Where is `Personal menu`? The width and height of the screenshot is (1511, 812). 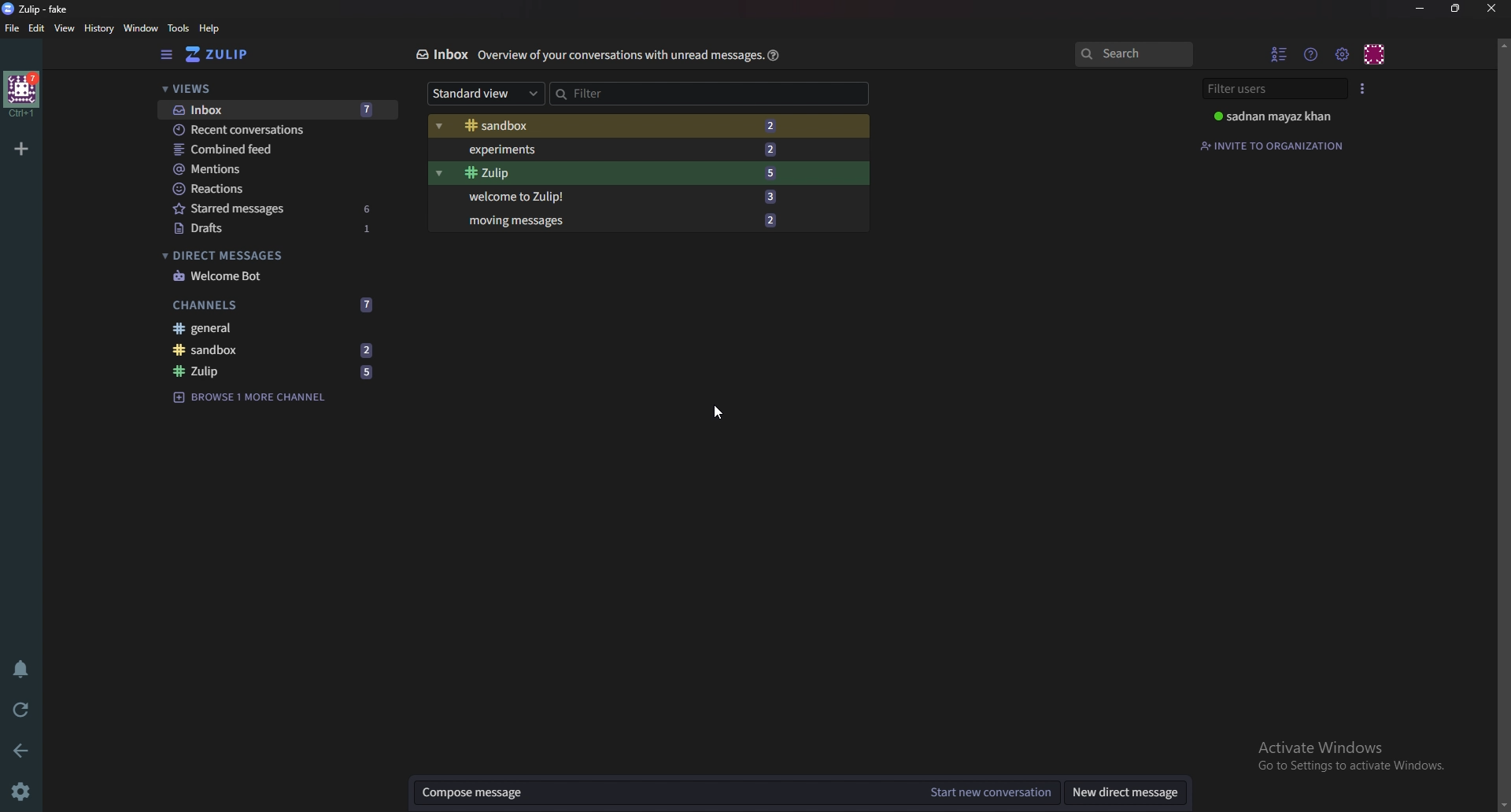
Personal menu is located at coordinates (1375, 54).